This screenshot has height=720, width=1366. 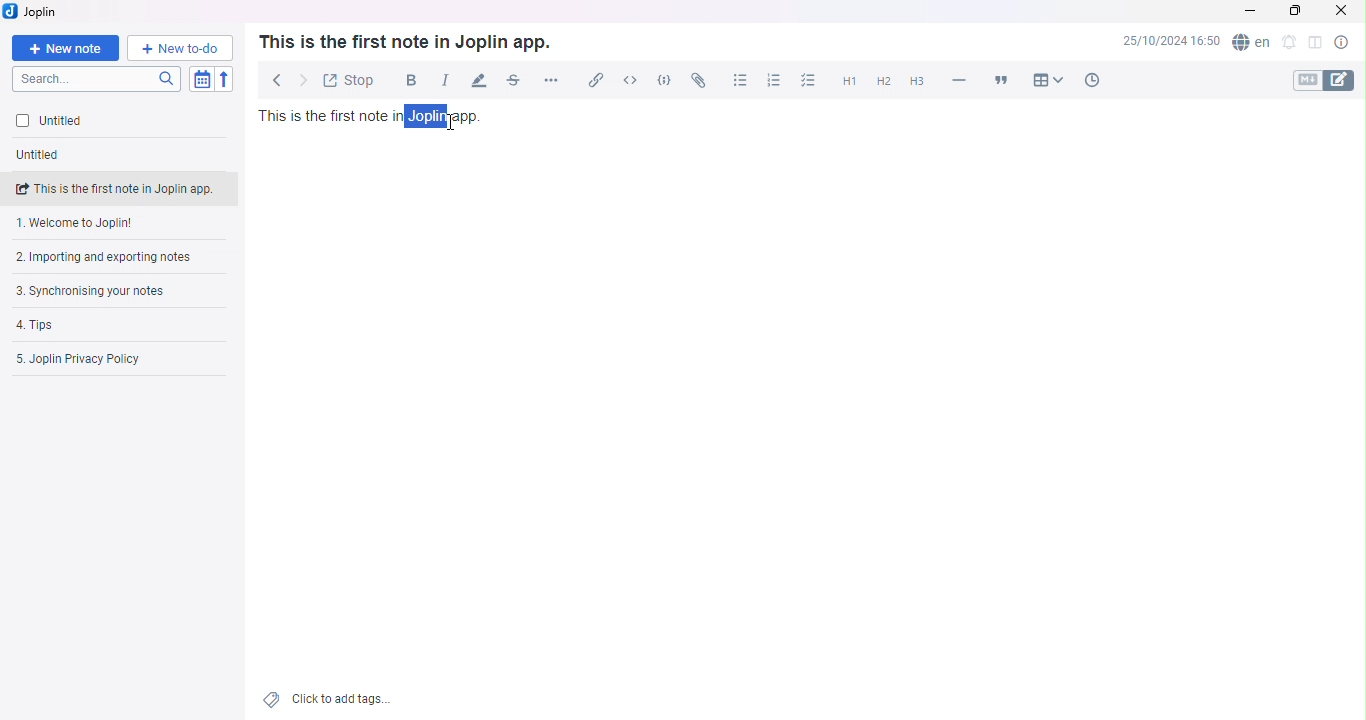 What do you see at coordinates (1312, 44) in the screenshot?
I see `Toggle editor layout` at bounding box center [1312, 44].